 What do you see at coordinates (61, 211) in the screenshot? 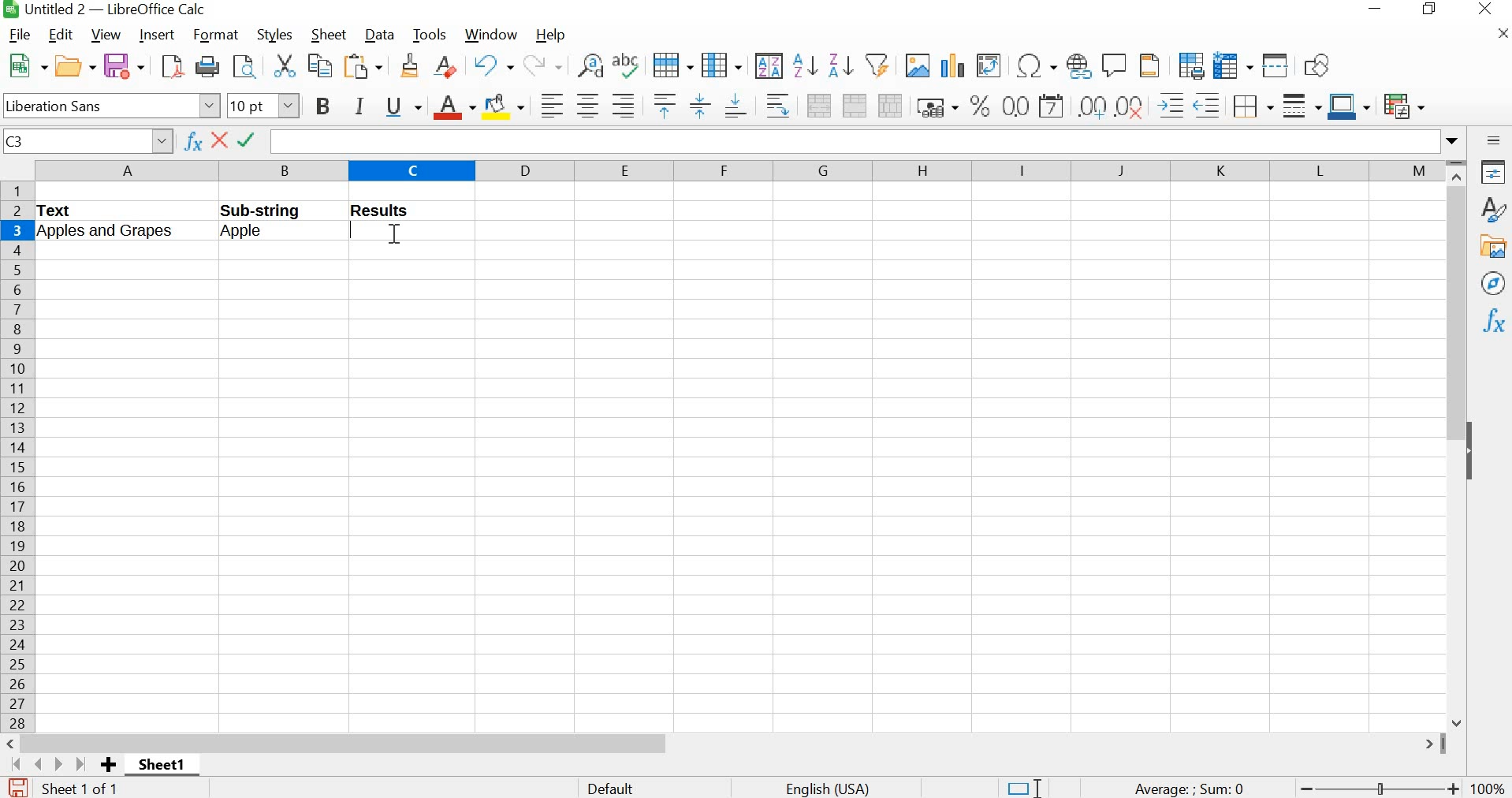
I see `TEXT` at bounding box center [61, 211].